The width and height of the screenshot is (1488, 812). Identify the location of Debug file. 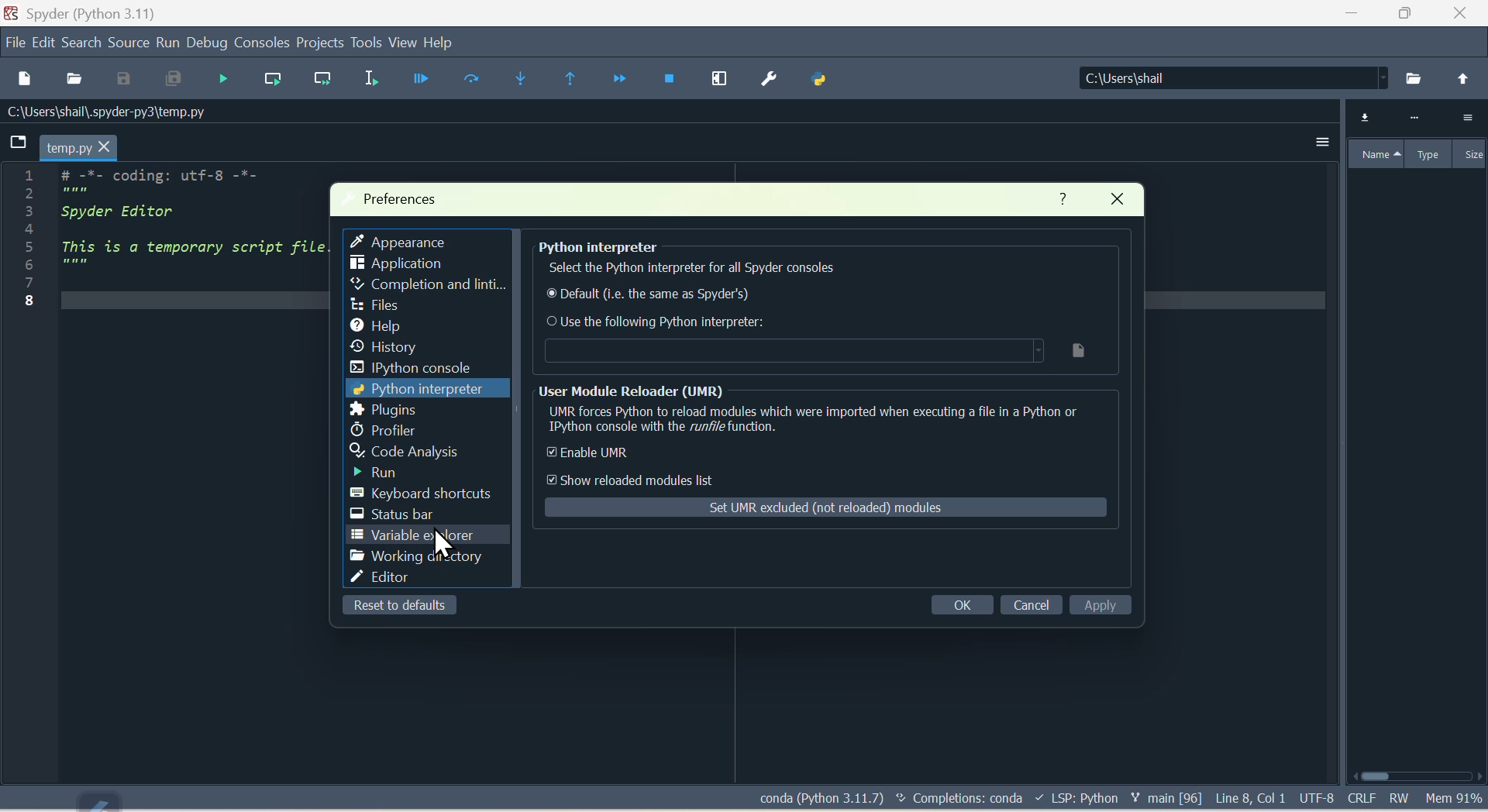
(222, 78).